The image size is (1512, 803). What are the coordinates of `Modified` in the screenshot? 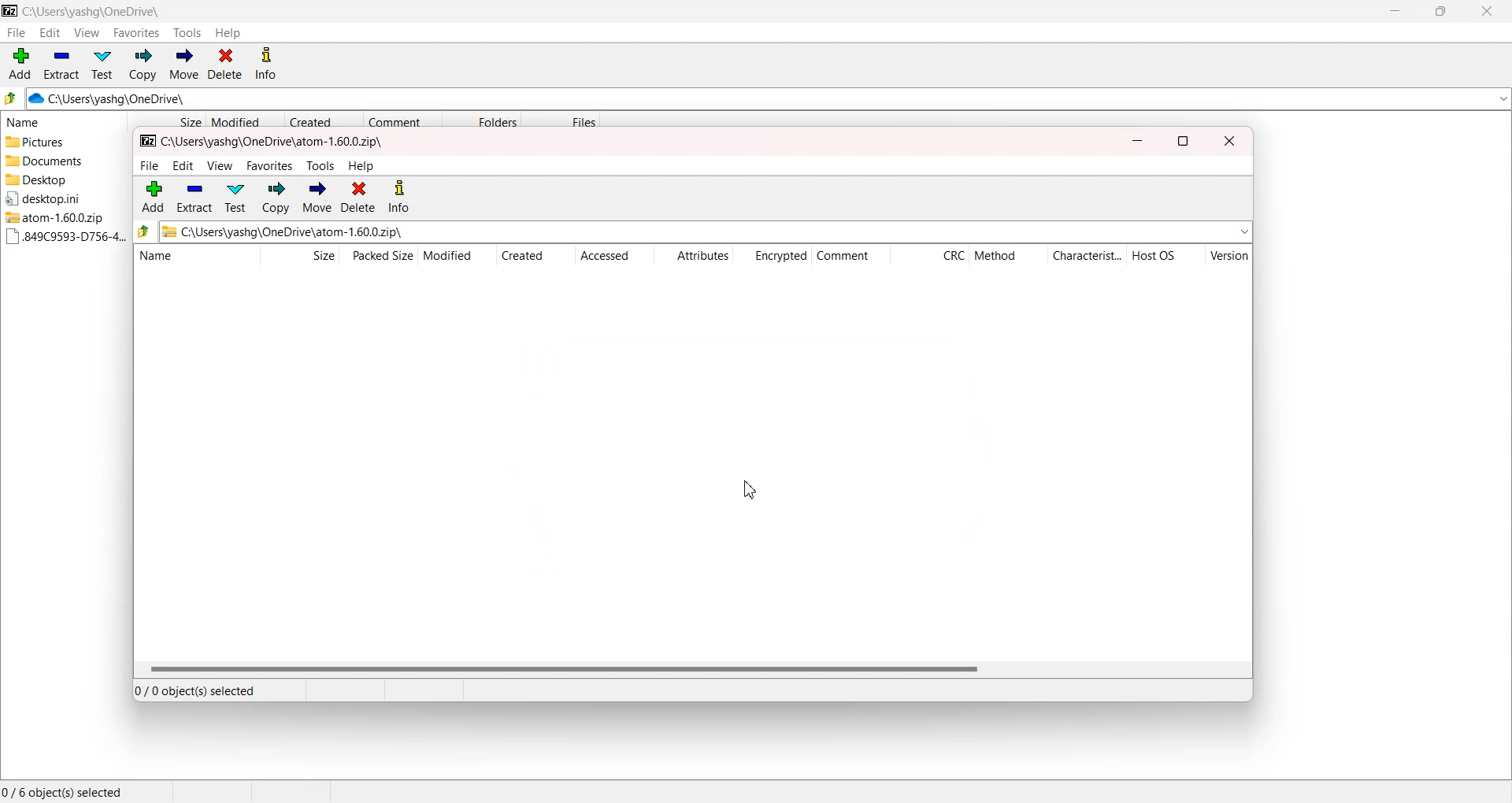 It's located at (455, 256).